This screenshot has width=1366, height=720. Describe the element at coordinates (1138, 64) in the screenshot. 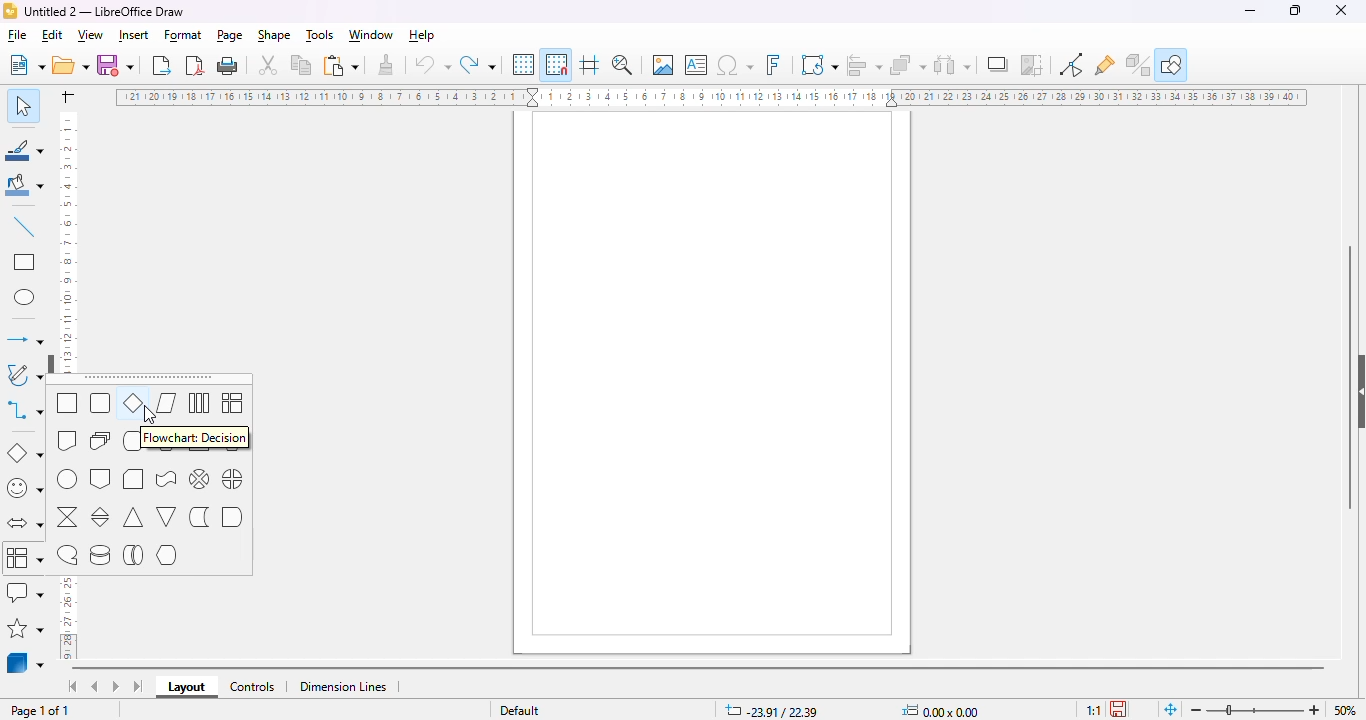

I see `toggle extrusion` at that location.